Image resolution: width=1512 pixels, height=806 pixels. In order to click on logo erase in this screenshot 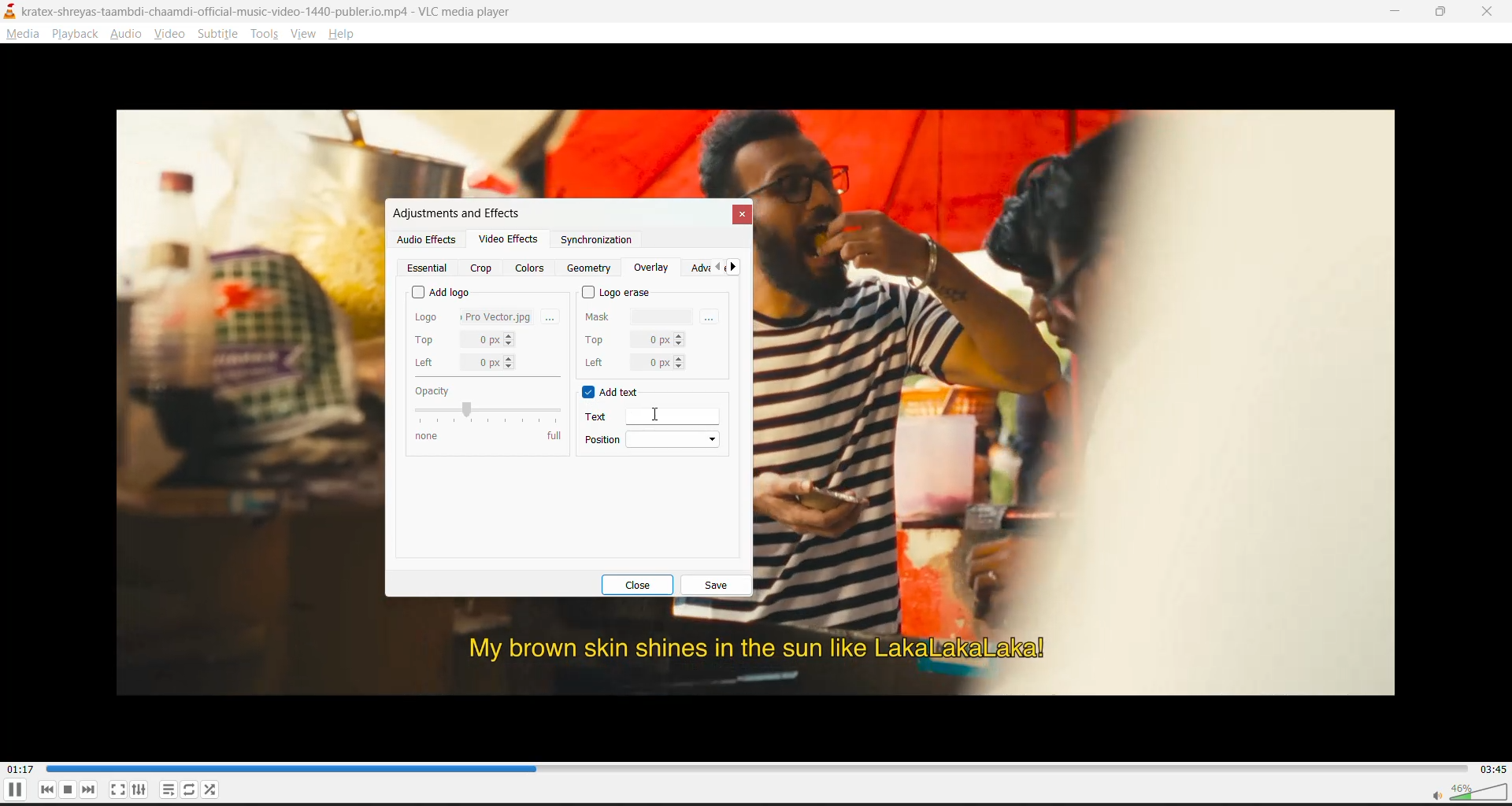, I will do `click(618, 292)`.